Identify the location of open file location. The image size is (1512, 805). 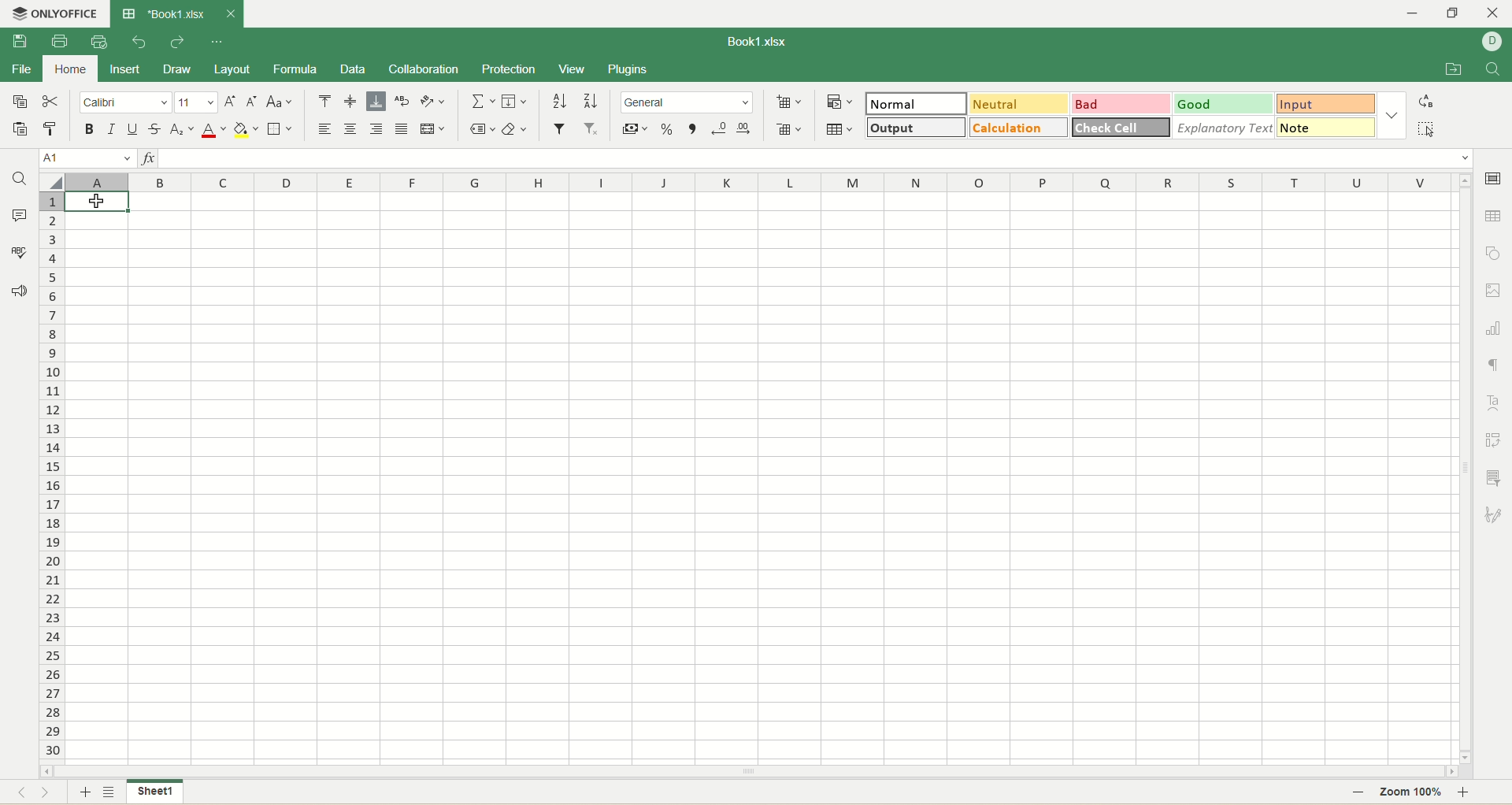
(1451, 69).